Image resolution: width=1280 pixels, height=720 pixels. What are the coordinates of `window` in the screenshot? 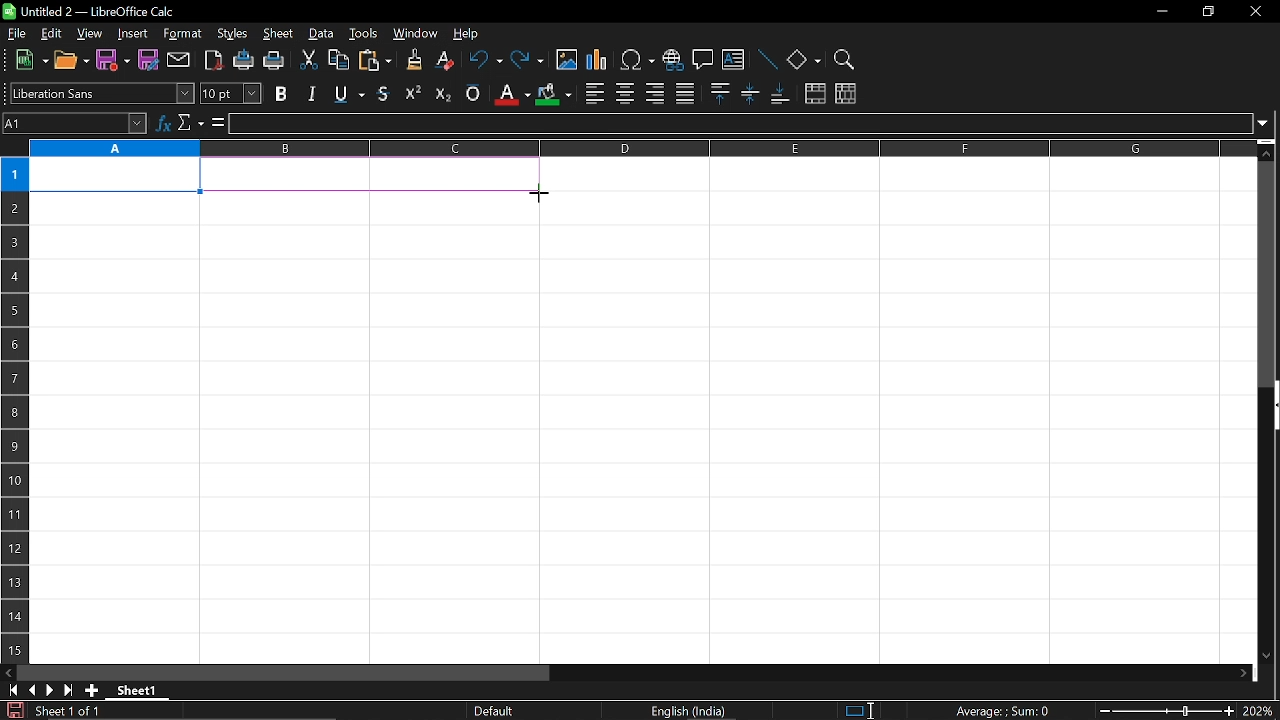 It's located at (415, 34).